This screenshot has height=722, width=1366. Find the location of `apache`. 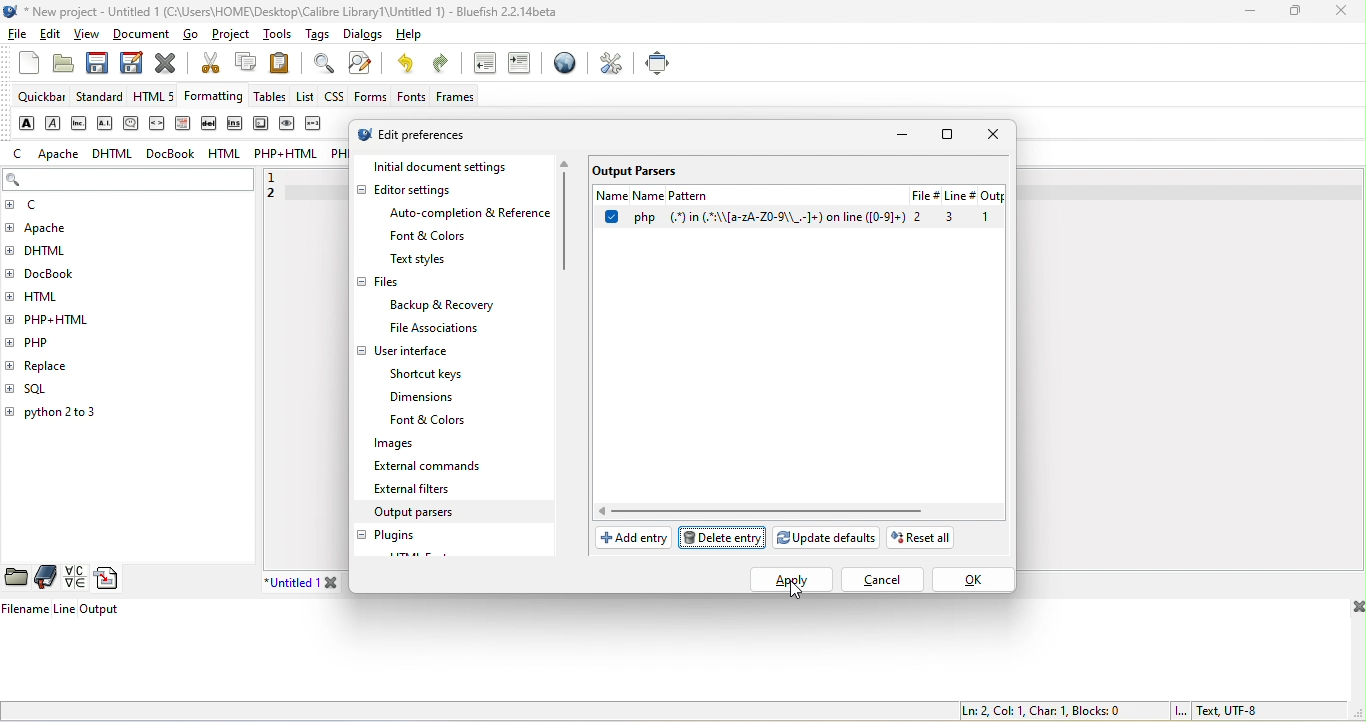

apache is located at coordinates (57, 154).